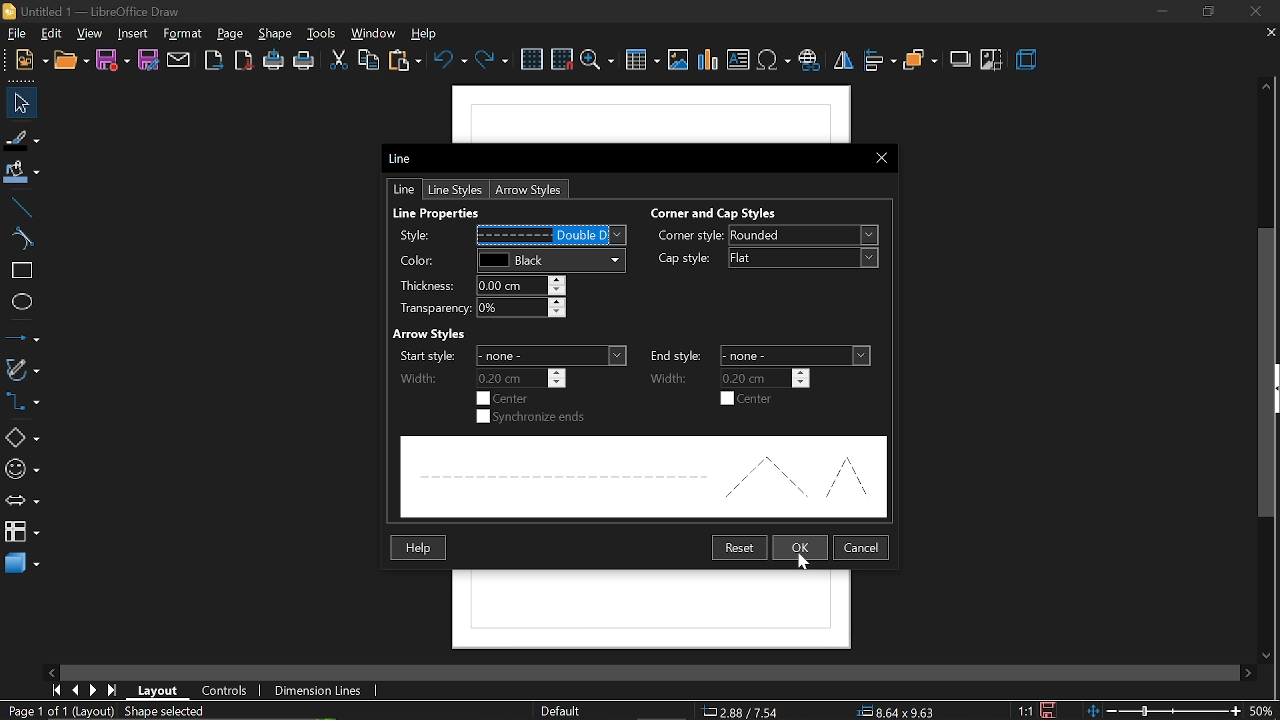 This screenshot has width=1280, height=720. I want to click on flowchart, so click(20, 530).